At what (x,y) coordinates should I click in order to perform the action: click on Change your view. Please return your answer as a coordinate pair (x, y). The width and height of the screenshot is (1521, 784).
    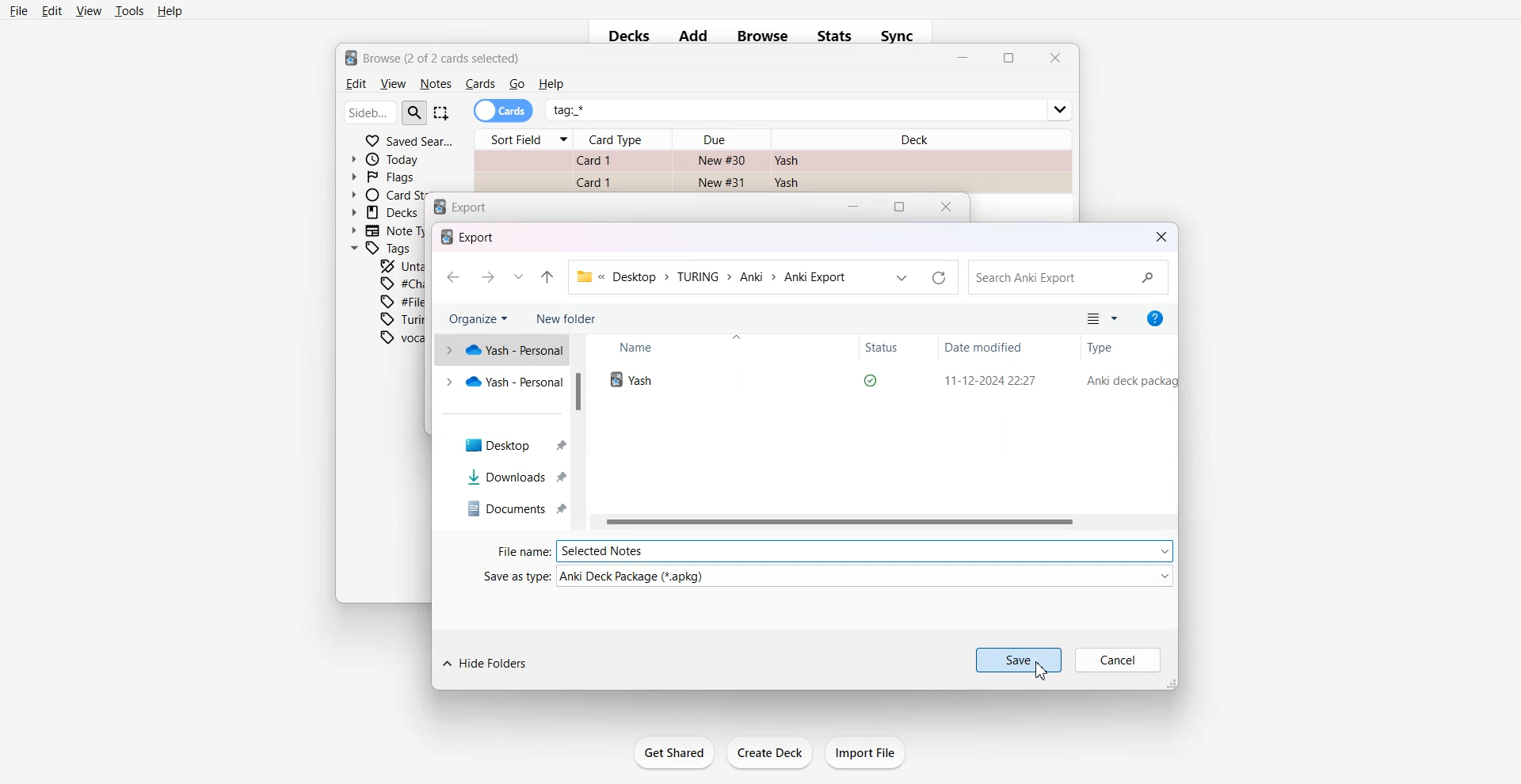
    Looking at the image, I should click on (1101, 318).